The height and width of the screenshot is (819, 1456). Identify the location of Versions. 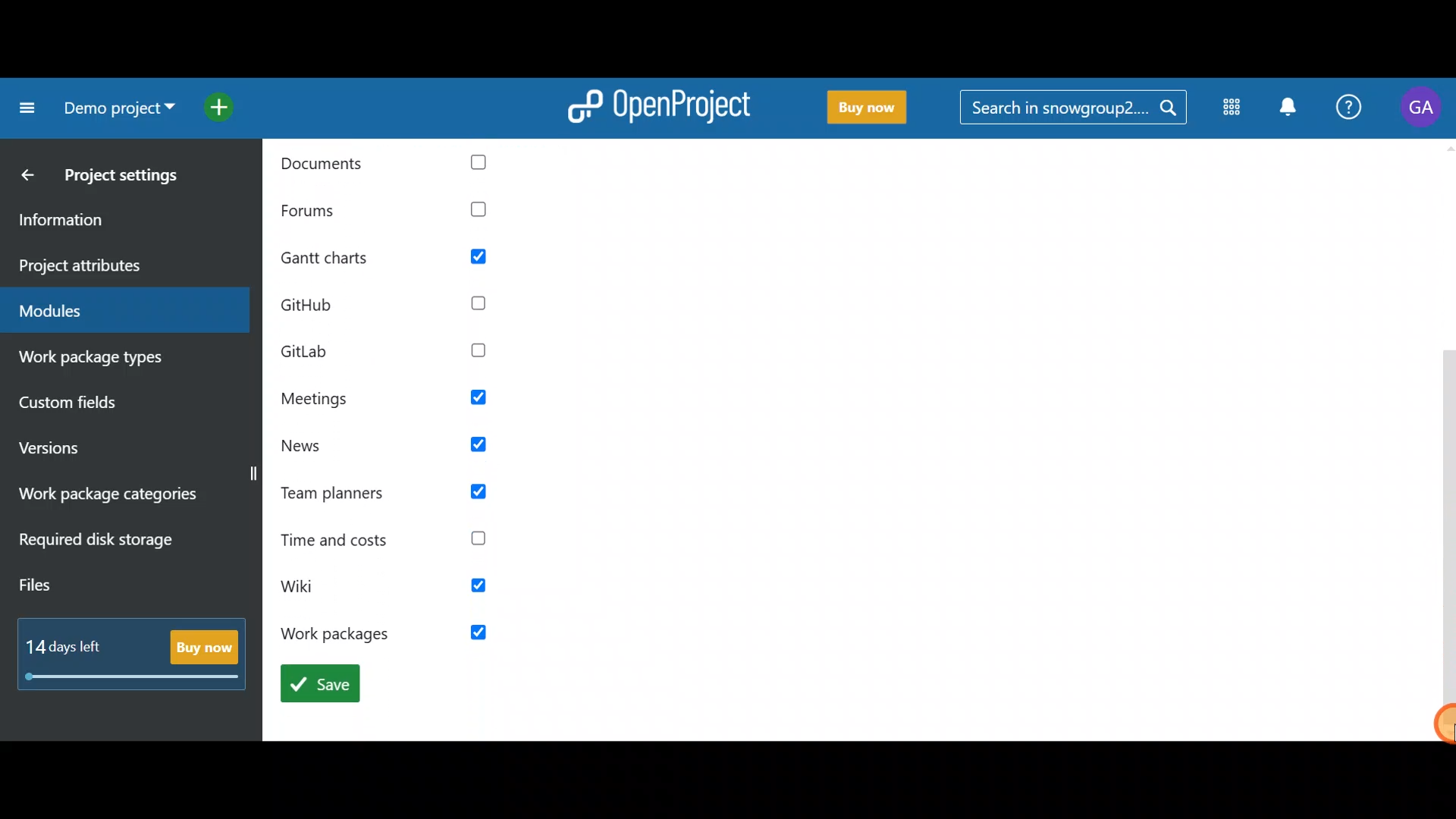
(78, 450).